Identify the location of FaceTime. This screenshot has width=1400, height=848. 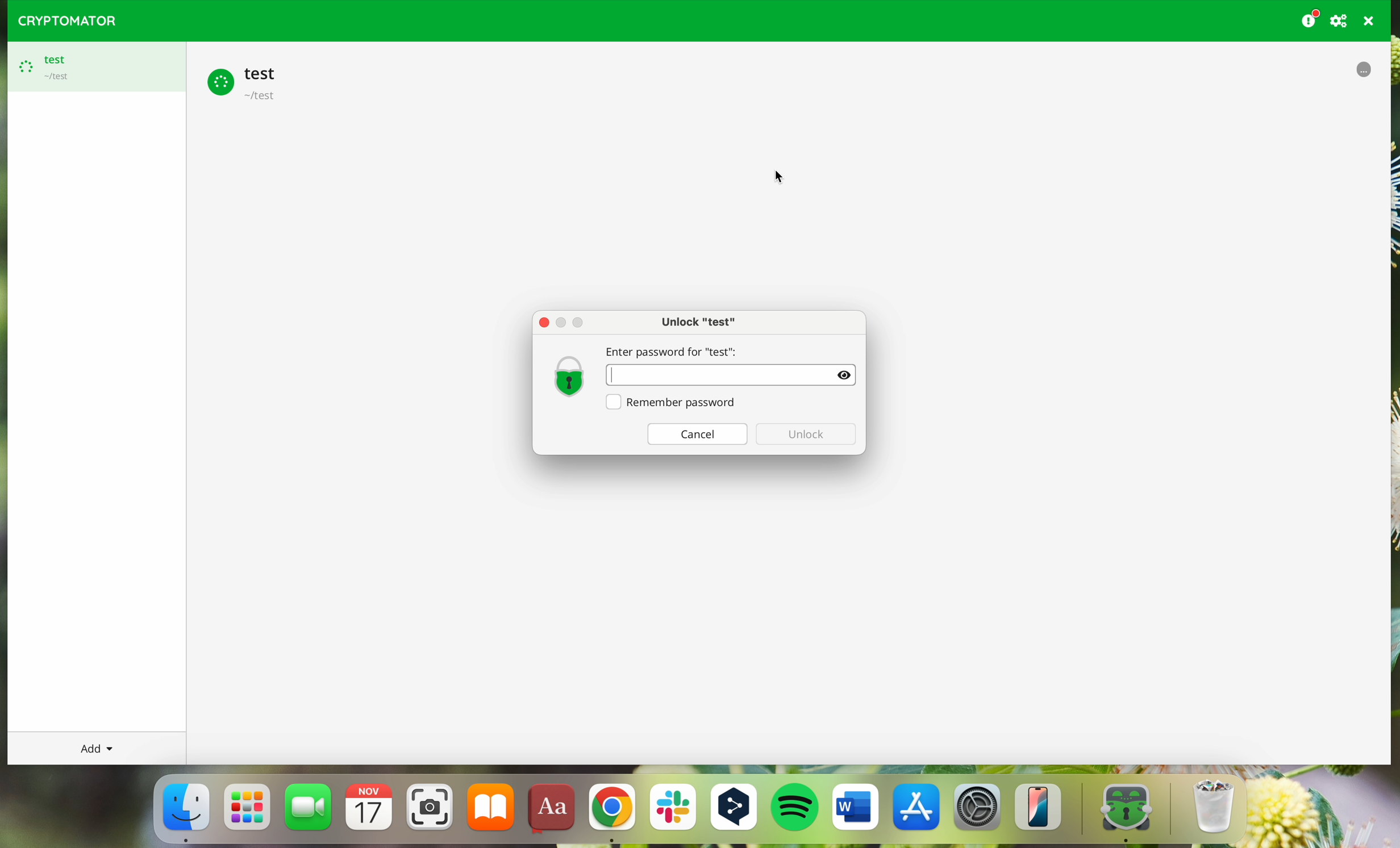
(310, 811).